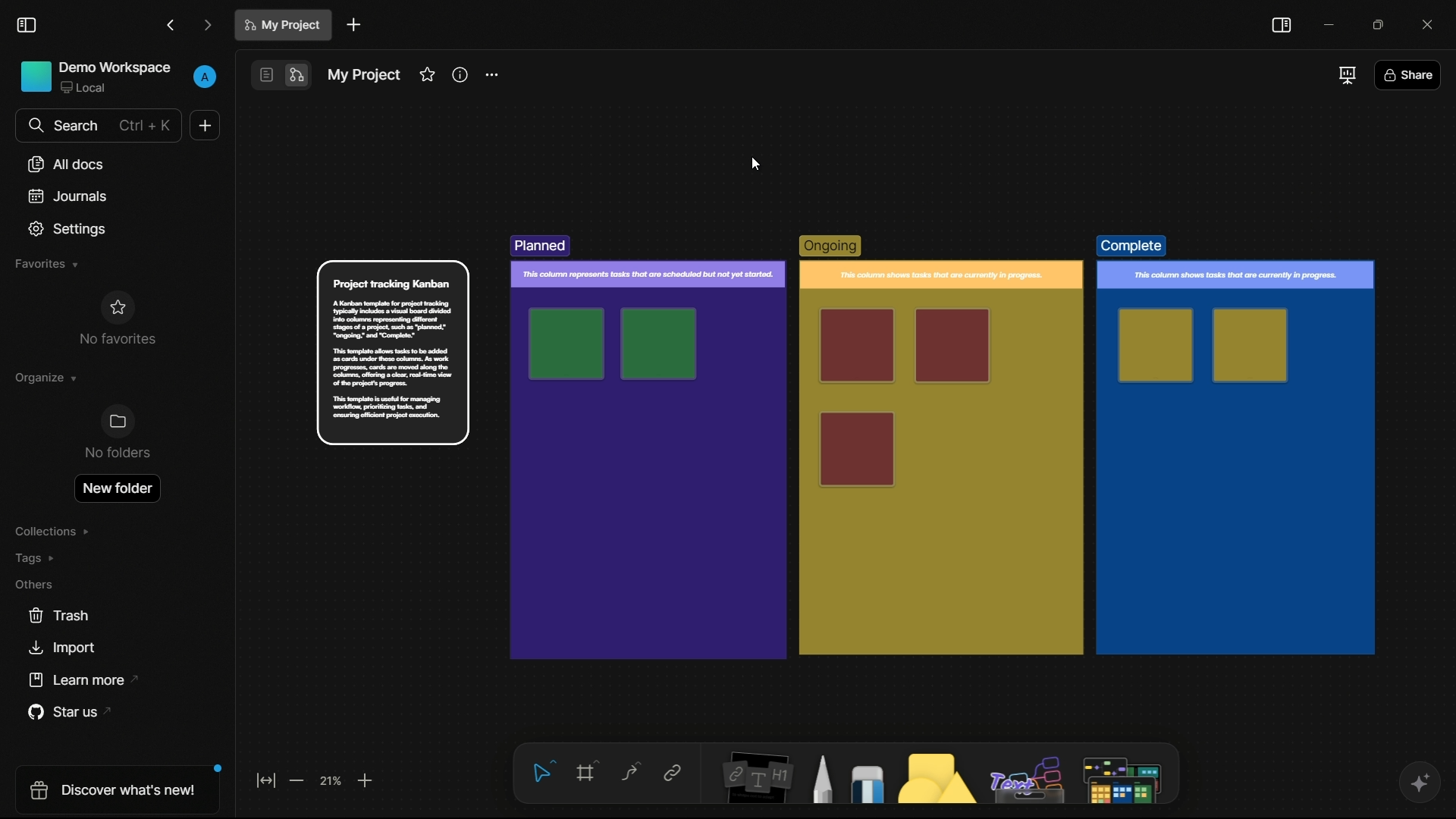  What do you see at coordinates (1419, 783) in the screenshot?
I see `ai assistant` at bounding box center [1419, 783].